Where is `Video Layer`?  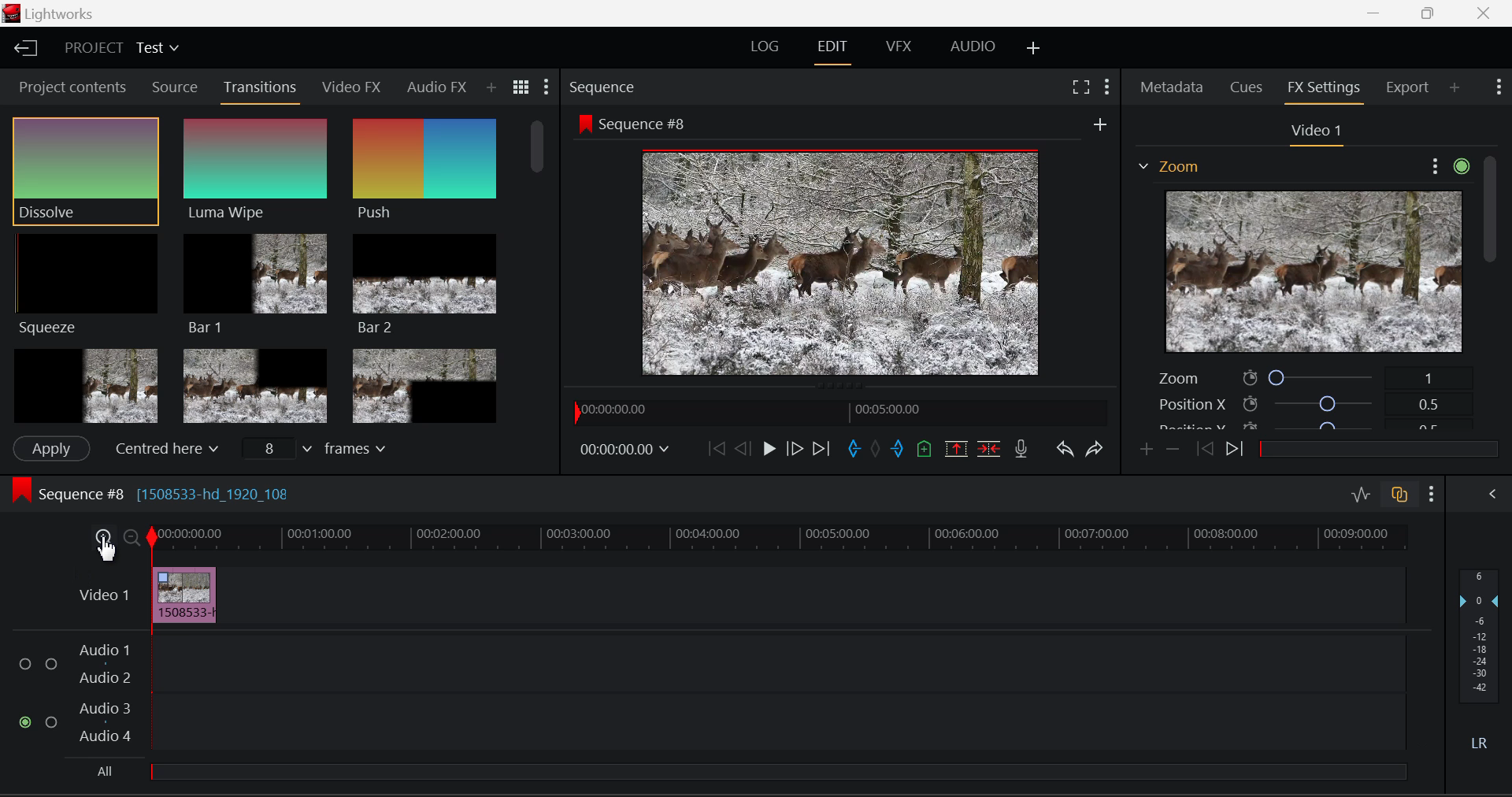
Video Layer is located at coordinates (105, 594).